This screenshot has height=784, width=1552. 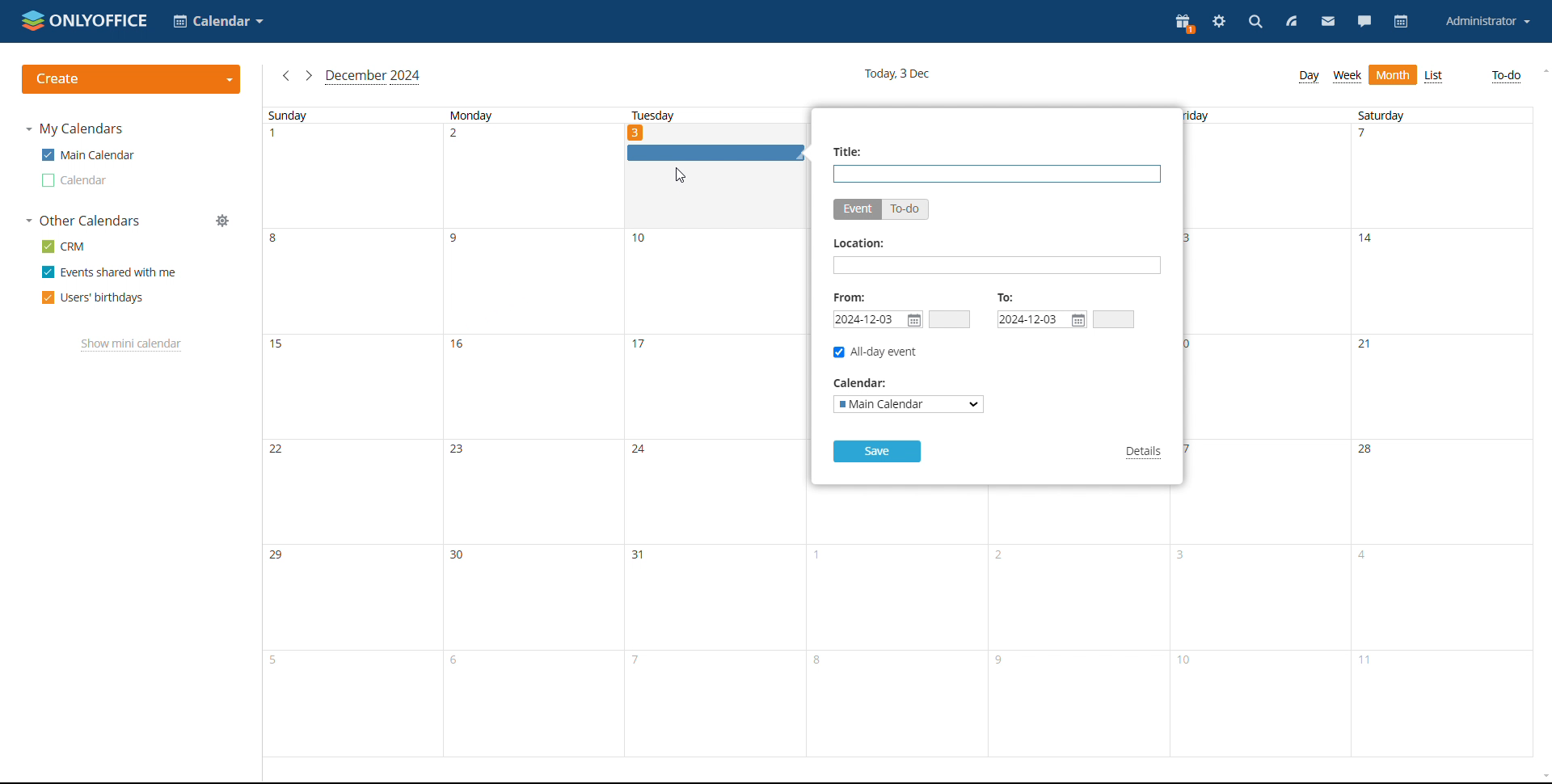 I want to click on main calendar, so click(x=87, y=154).